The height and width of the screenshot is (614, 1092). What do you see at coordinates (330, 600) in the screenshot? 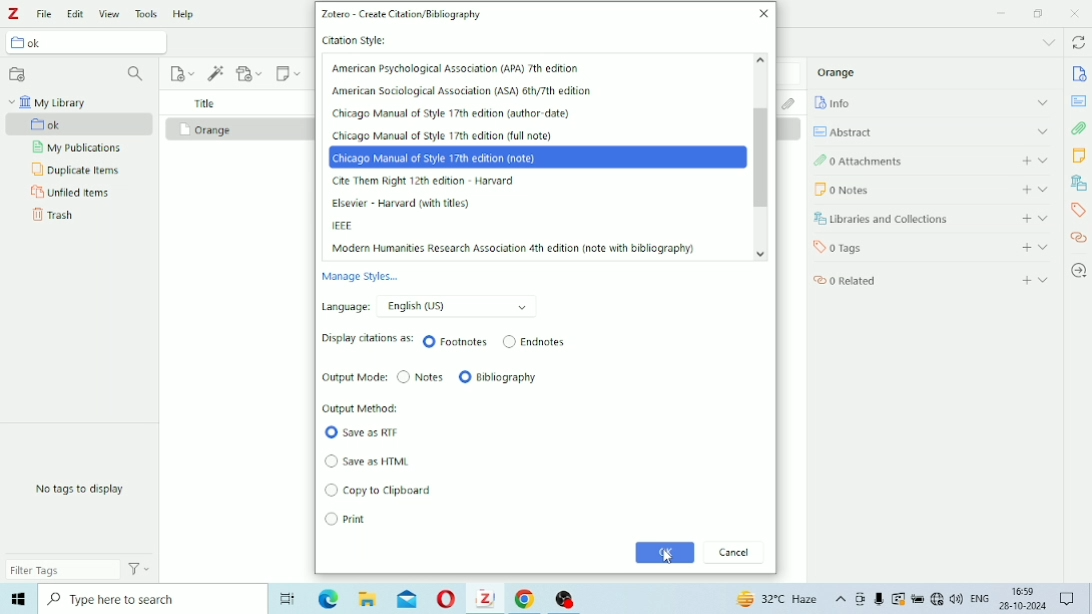
I see `Microsoft Edge` at bounding box center [330, 600].